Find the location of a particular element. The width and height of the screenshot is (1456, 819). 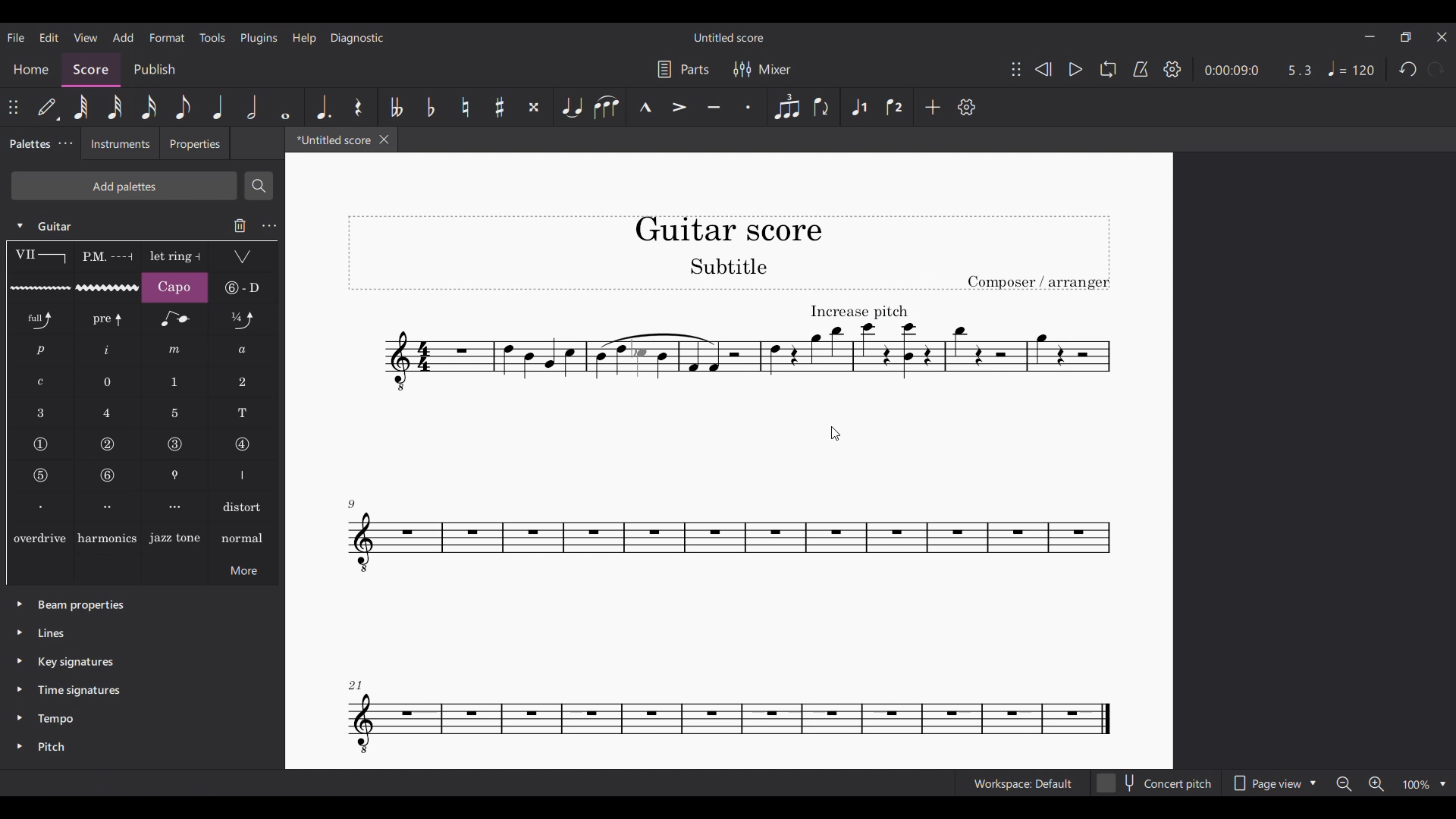

LH guitar fingering 0 is located at coordinates (108, 381).